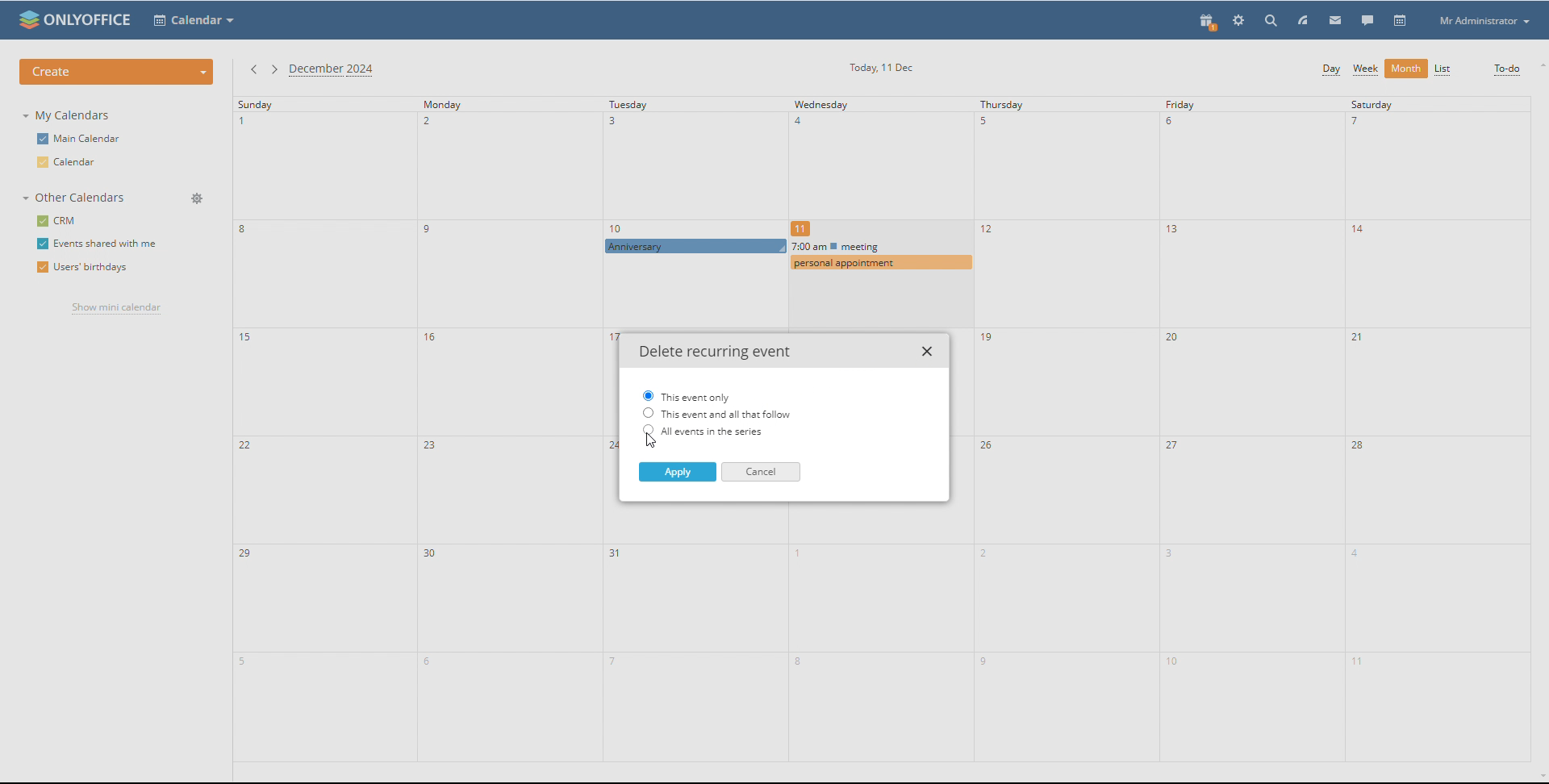  Describe the element at coordinates (1330, 71) in the screenshot. I see `day view` at that location.